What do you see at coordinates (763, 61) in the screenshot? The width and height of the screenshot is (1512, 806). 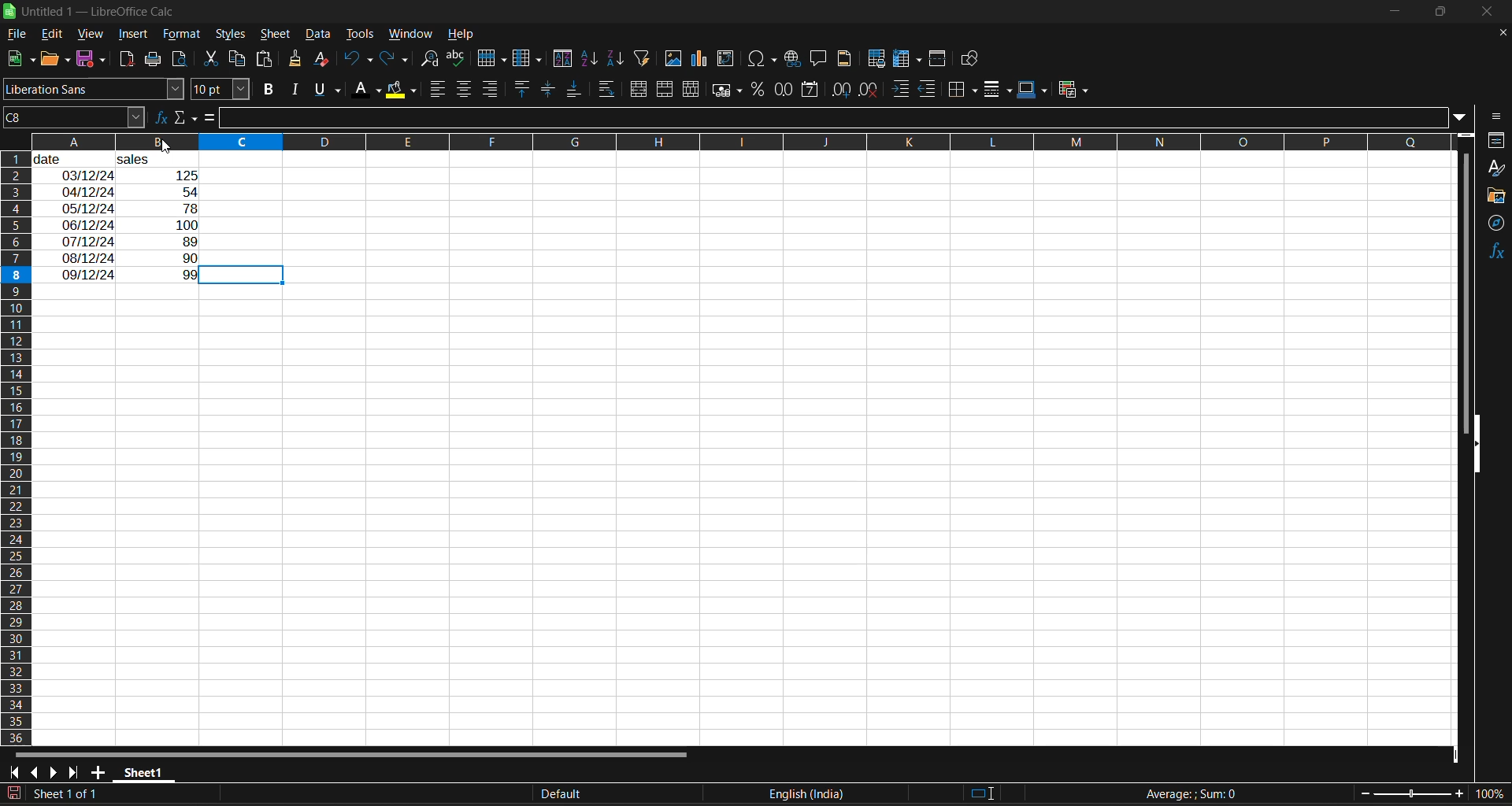 I see `insert special characters` at bounding box center [763, 61].